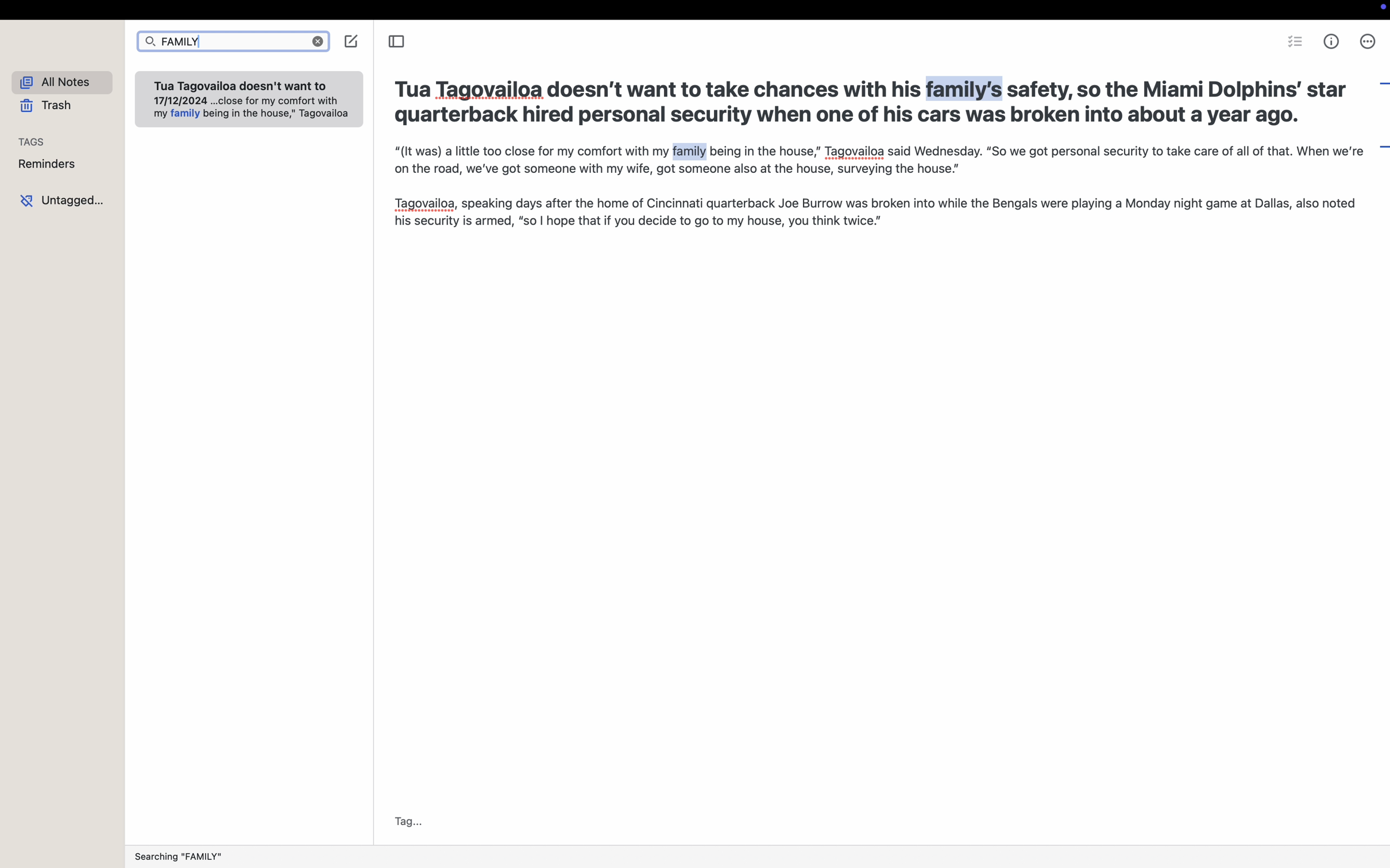 The width and height of the screenshot is (1390, 868). What do you see at coordinates (183, 854) in the screenshot?
I see `searching family` at bounding box center [183, 854].